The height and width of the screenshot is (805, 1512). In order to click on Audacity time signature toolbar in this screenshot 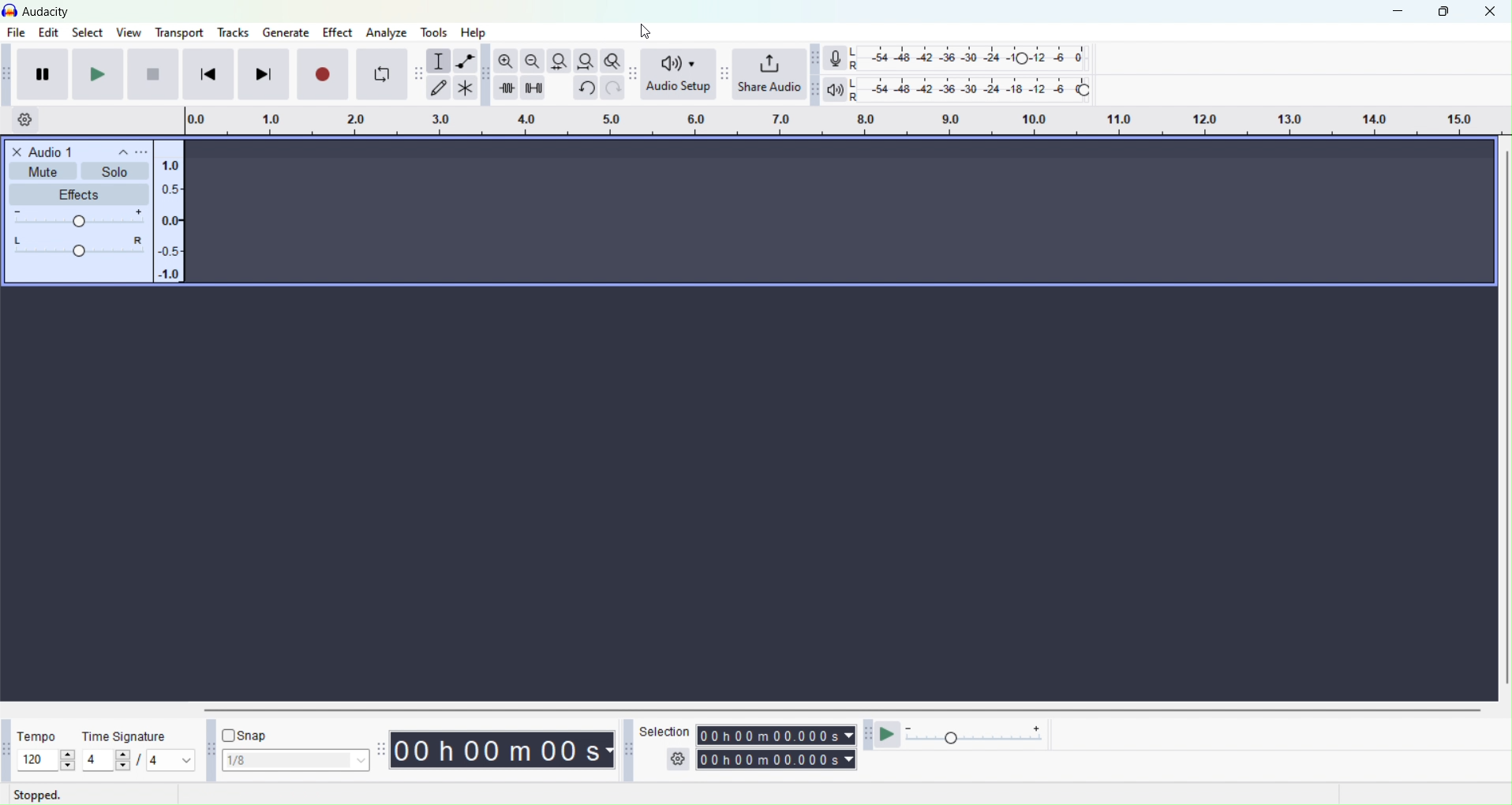, I will do `click(5, 750)`.